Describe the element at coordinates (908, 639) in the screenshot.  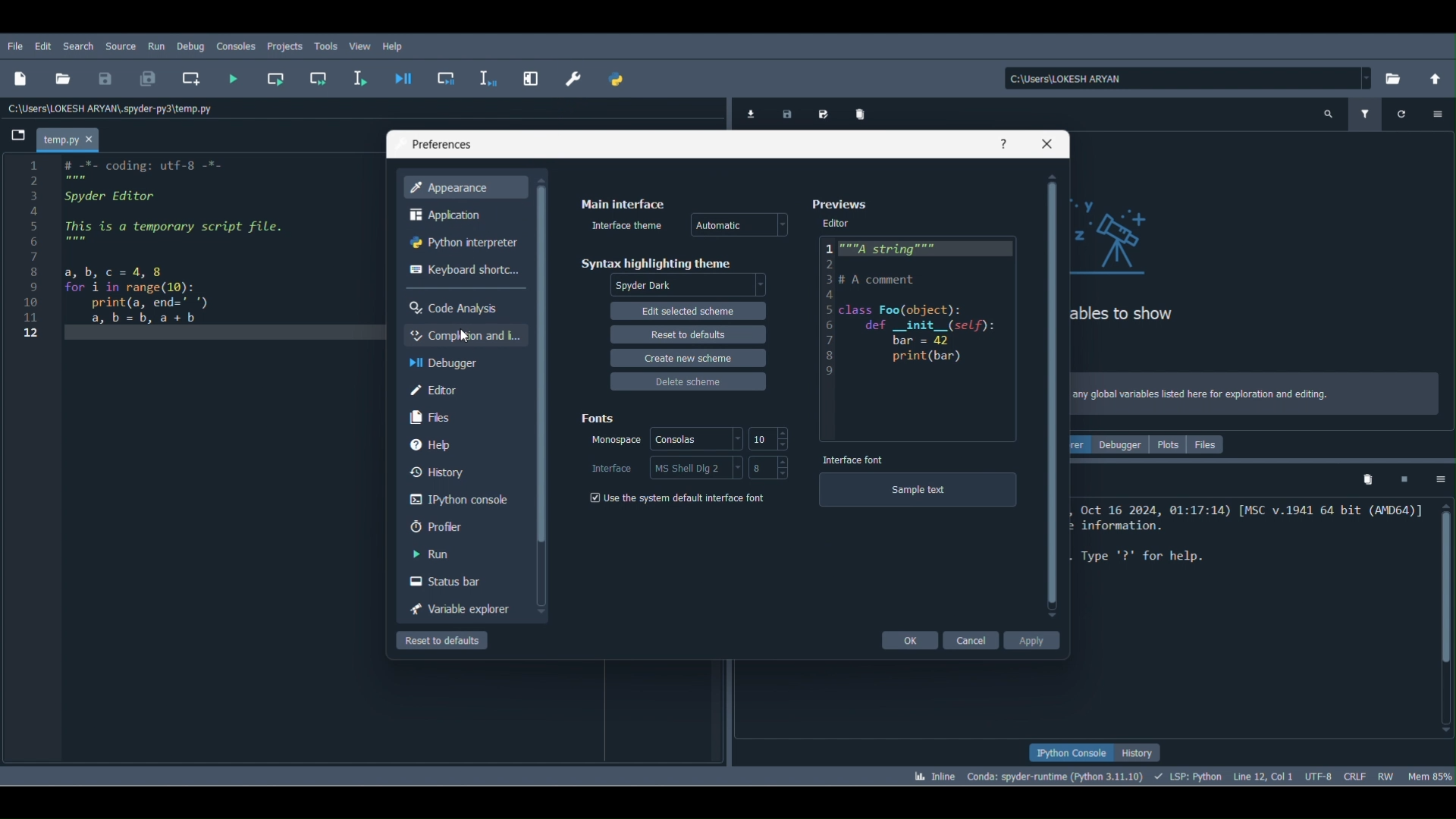
I see `Ok` at that location.